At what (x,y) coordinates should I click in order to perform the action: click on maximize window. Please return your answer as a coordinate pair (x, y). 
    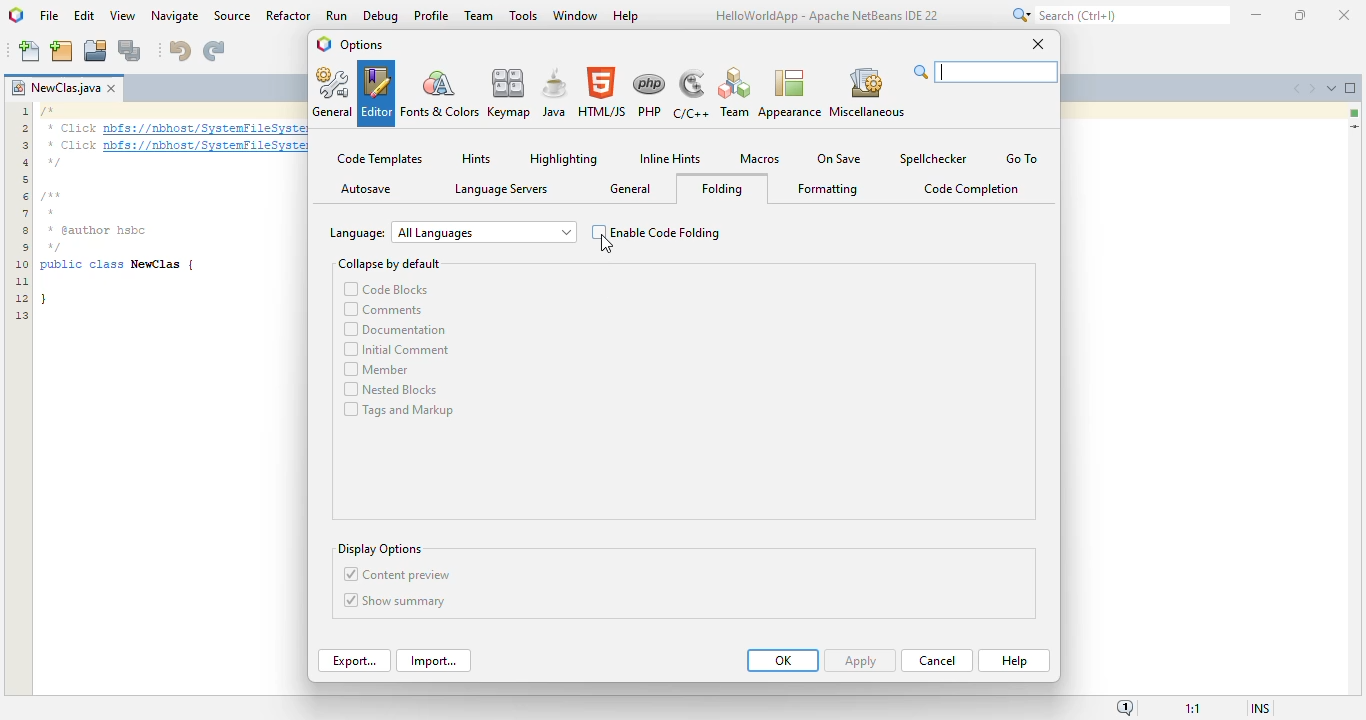
    Looking at the image, I should click on (1351, 88).